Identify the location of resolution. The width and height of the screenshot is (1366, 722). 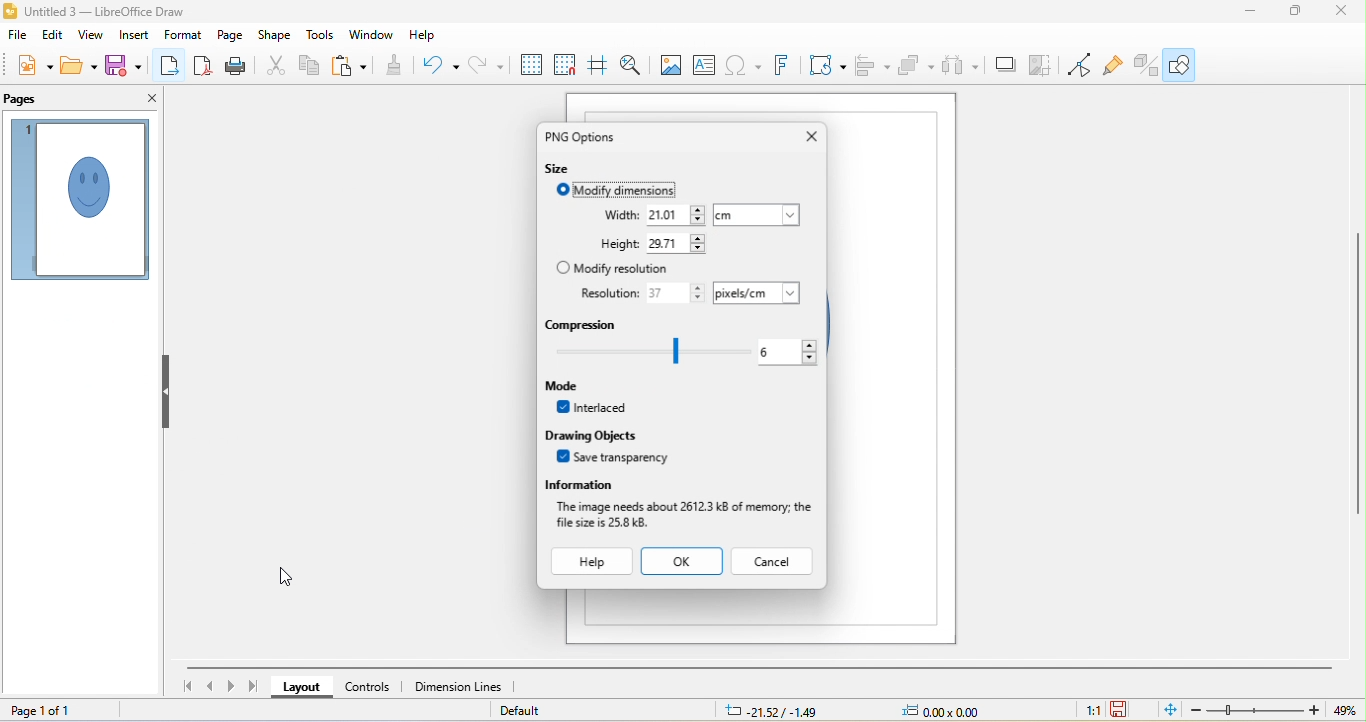
(643, 295).